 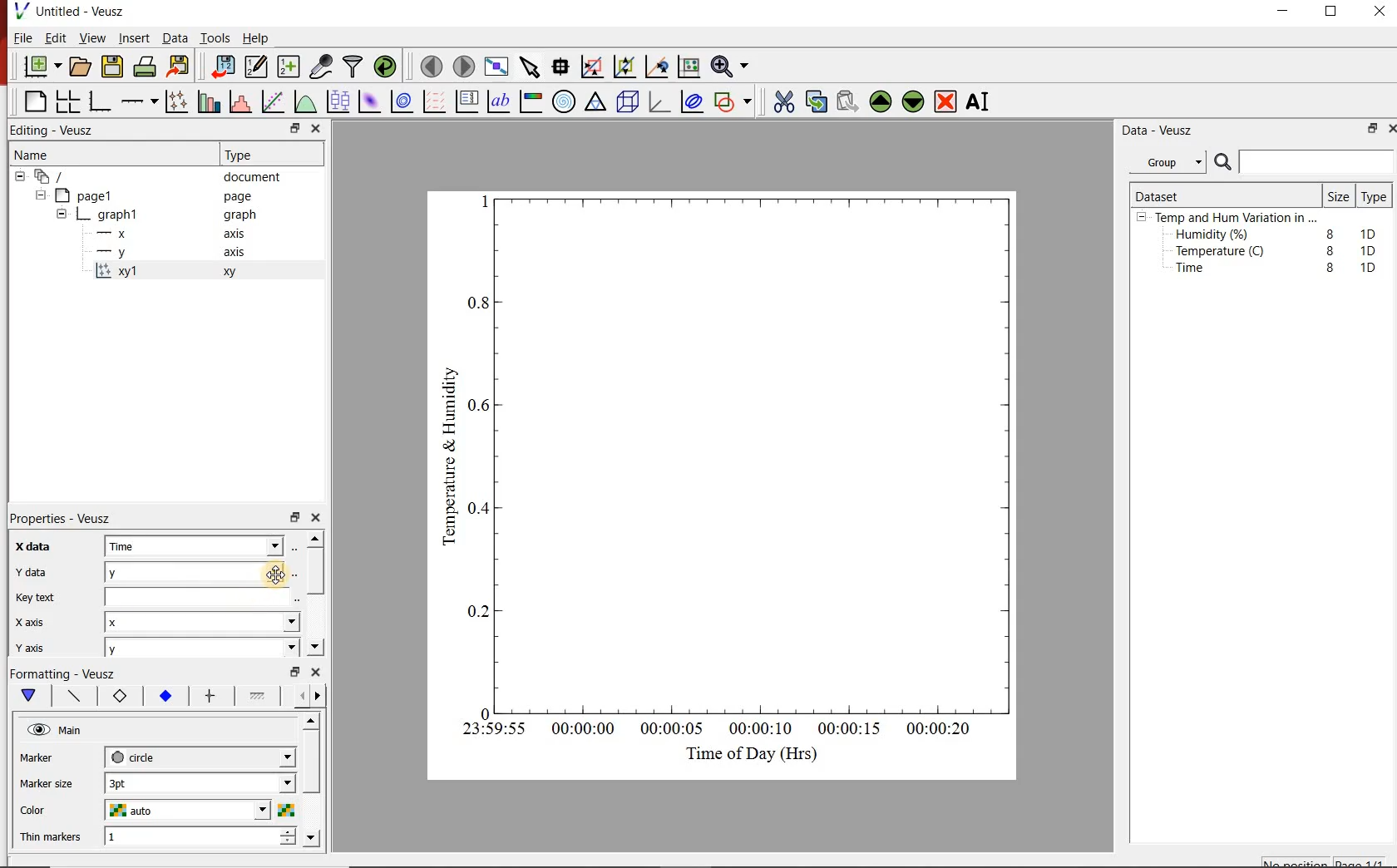 I want to click on 3d scene, so click(x=629, y=104).